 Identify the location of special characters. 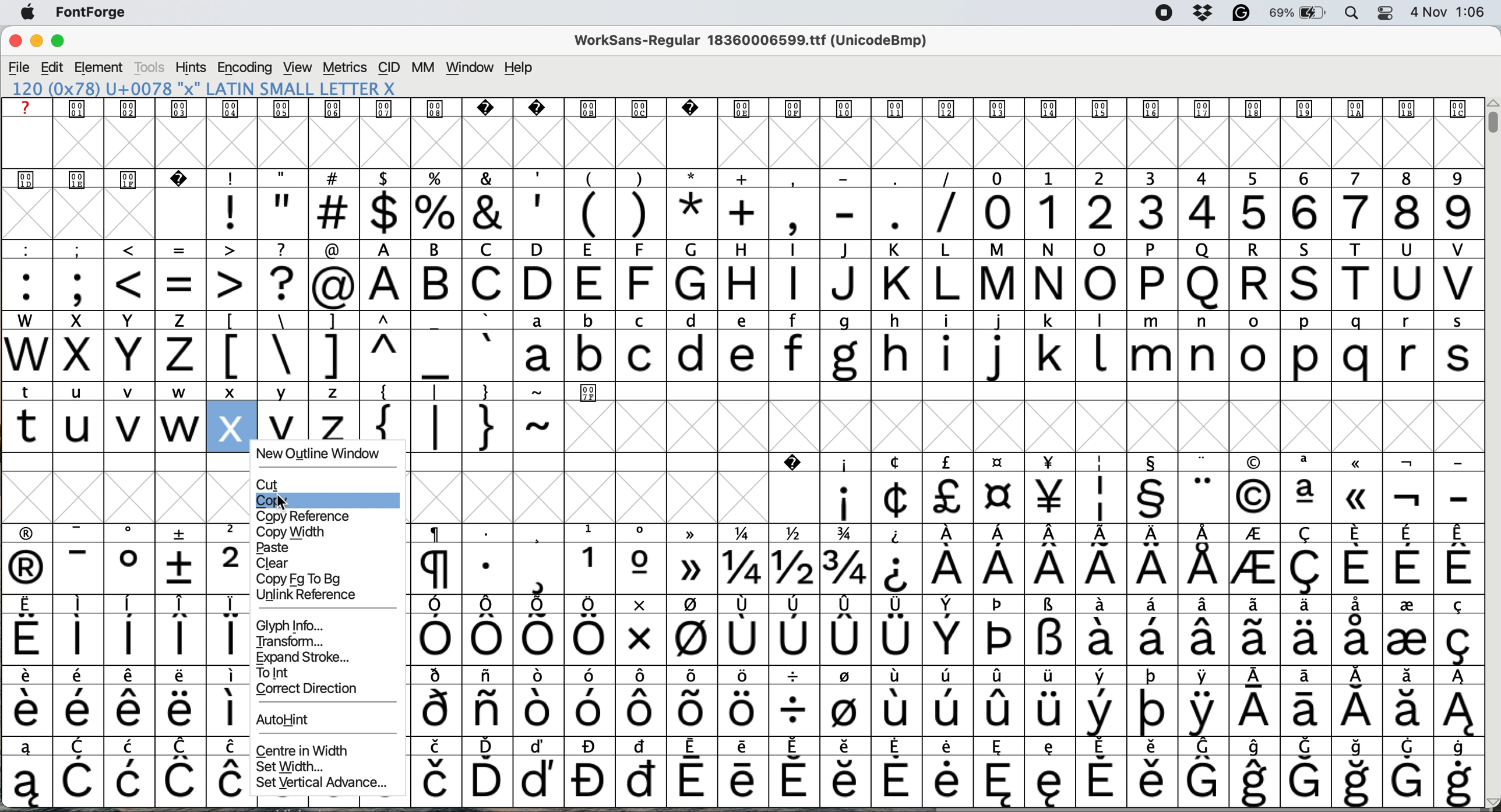
(943, 710).